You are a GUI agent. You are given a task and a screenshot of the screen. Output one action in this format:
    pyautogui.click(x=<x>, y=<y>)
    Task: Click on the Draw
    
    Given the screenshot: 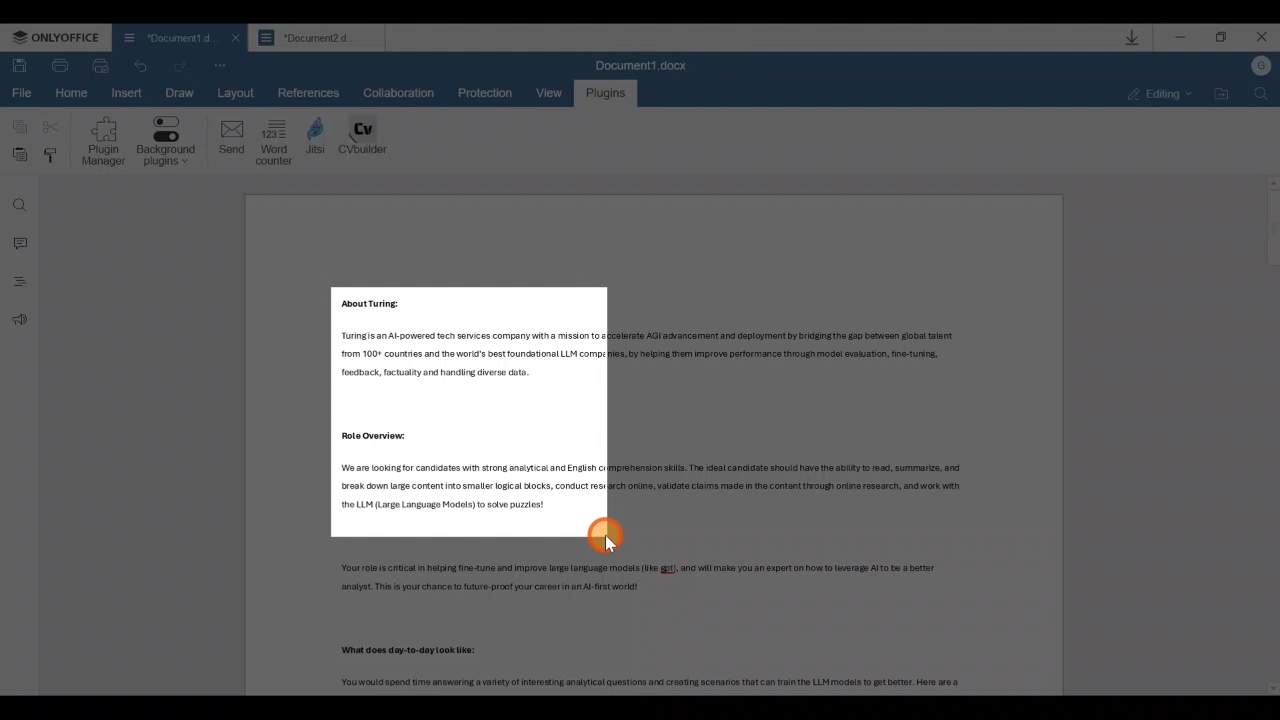 What is the action you would take?
    pyautogui.click(x=179, y=90)
    